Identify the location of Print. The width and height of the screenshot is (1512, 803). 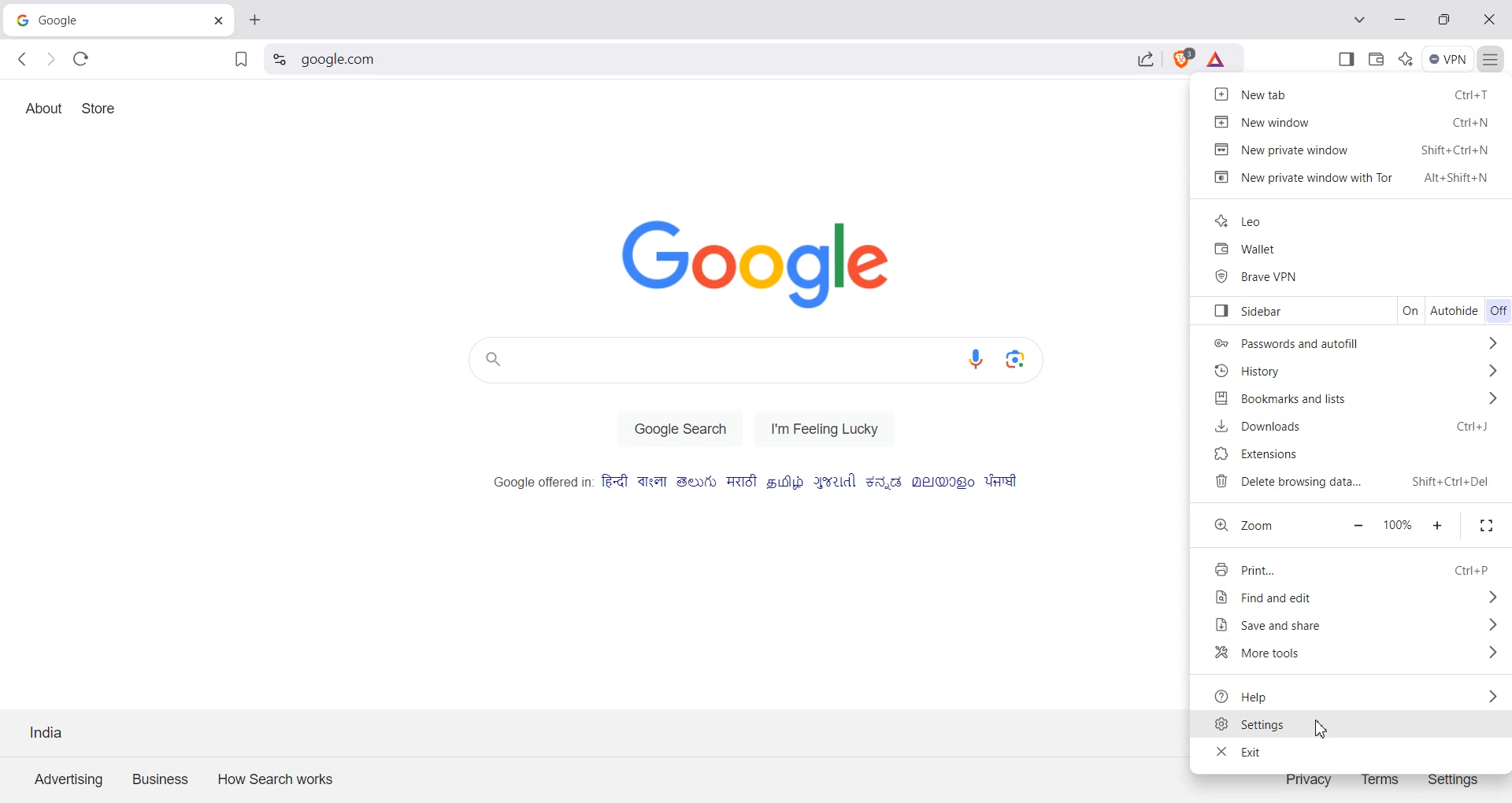
(1356, 568).